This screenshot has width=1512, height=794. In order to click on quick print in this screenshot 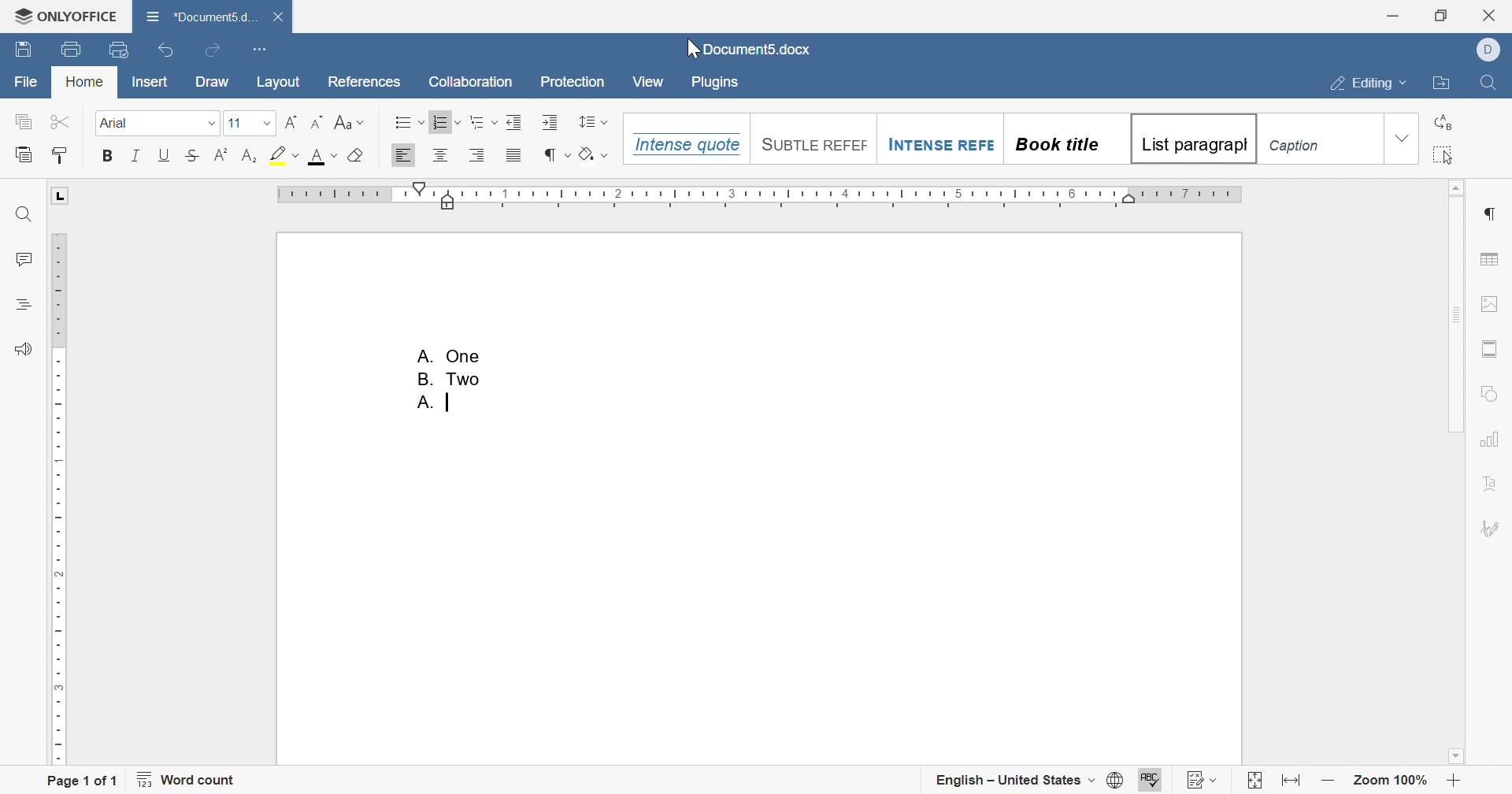, I will do `click(118, 50)`.